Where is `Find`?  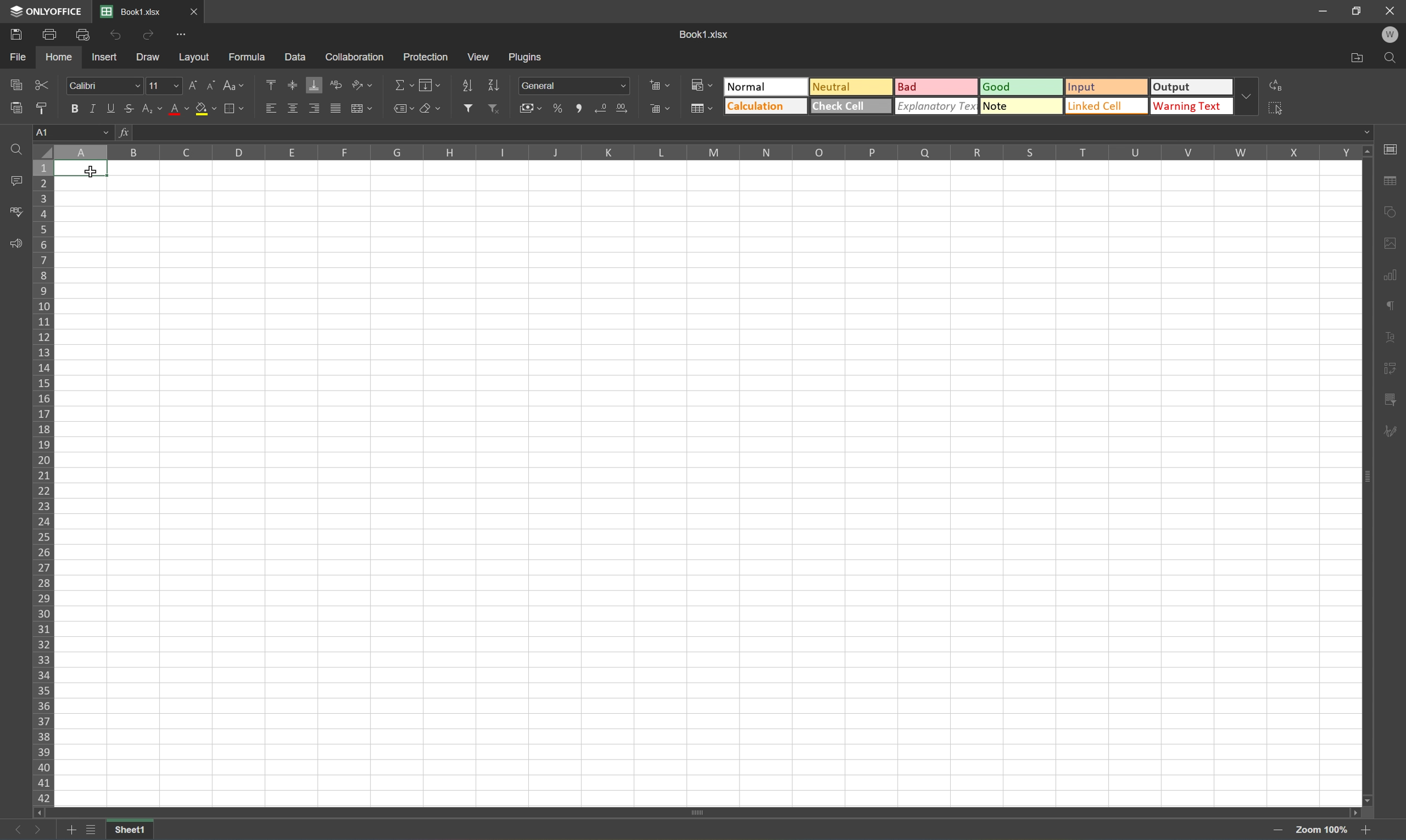 Find is located at coordinates (1393, 58).